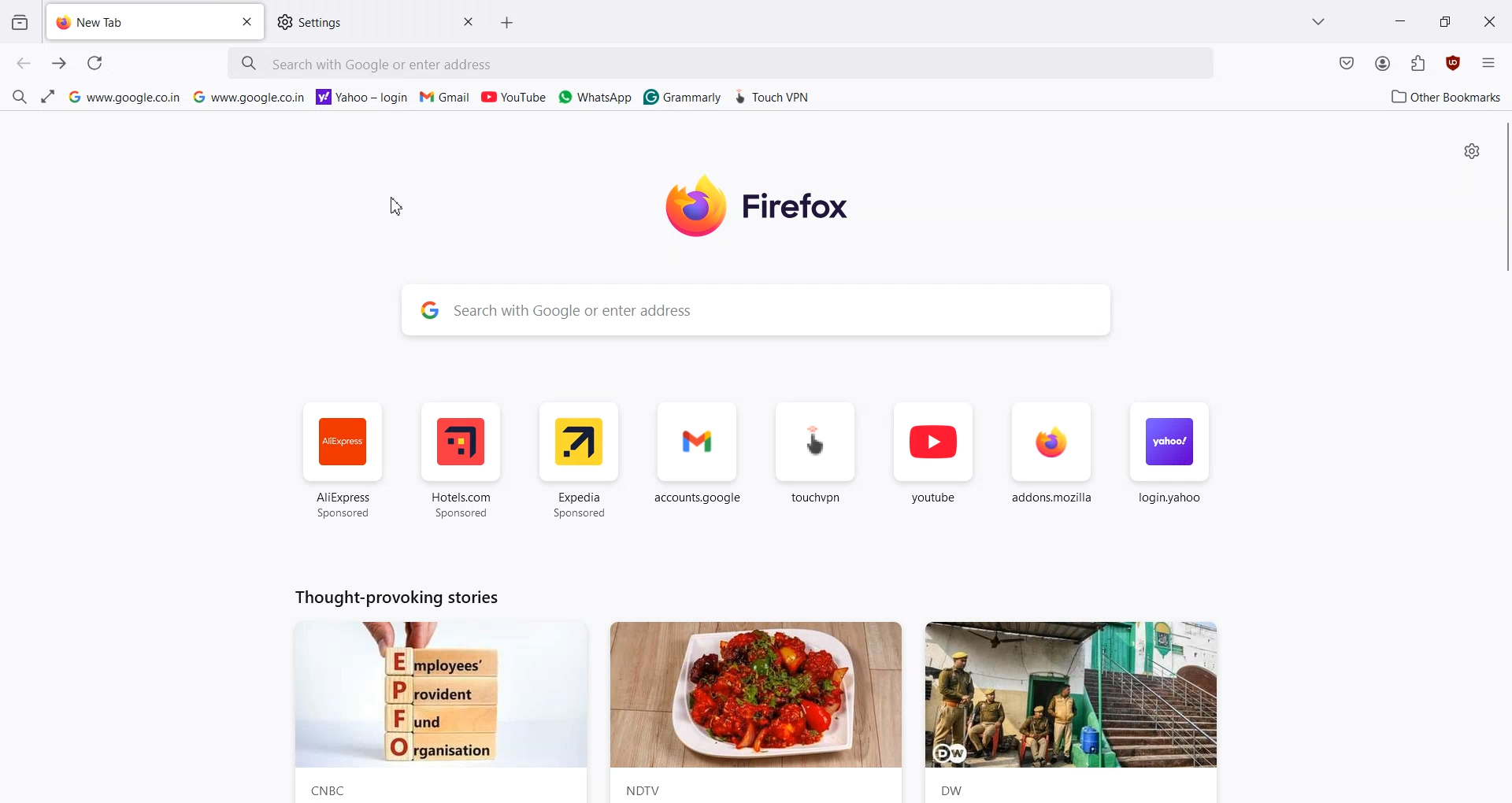 The height and width of the screenshot is (803, 1512). What do you see at coordinates (60, 64) in the screenshot?
I see `Go Forward to one page ` at bounding box center [60, 64].